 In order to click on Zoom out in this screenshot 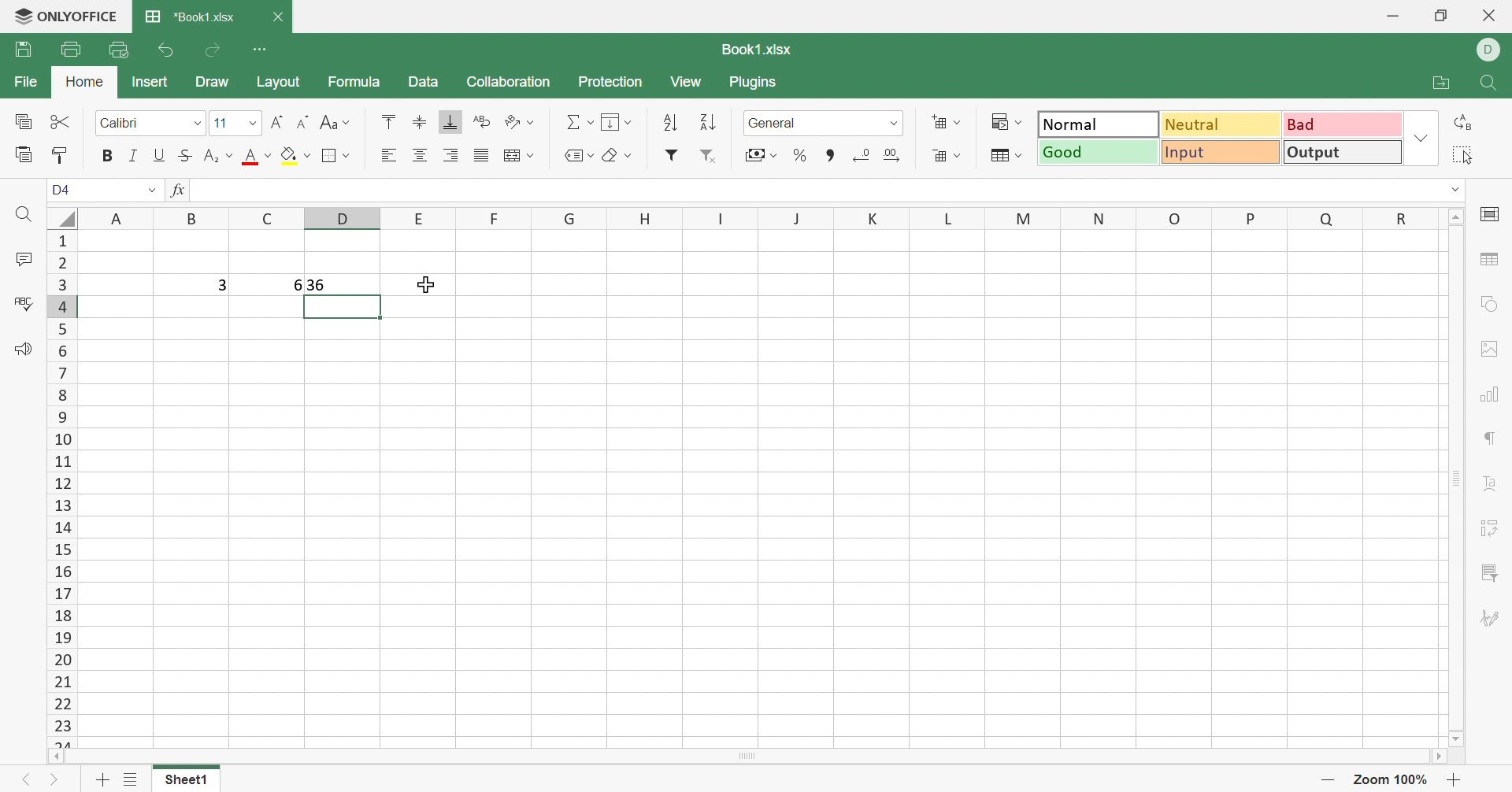, I will do `click(1327, 781)`.